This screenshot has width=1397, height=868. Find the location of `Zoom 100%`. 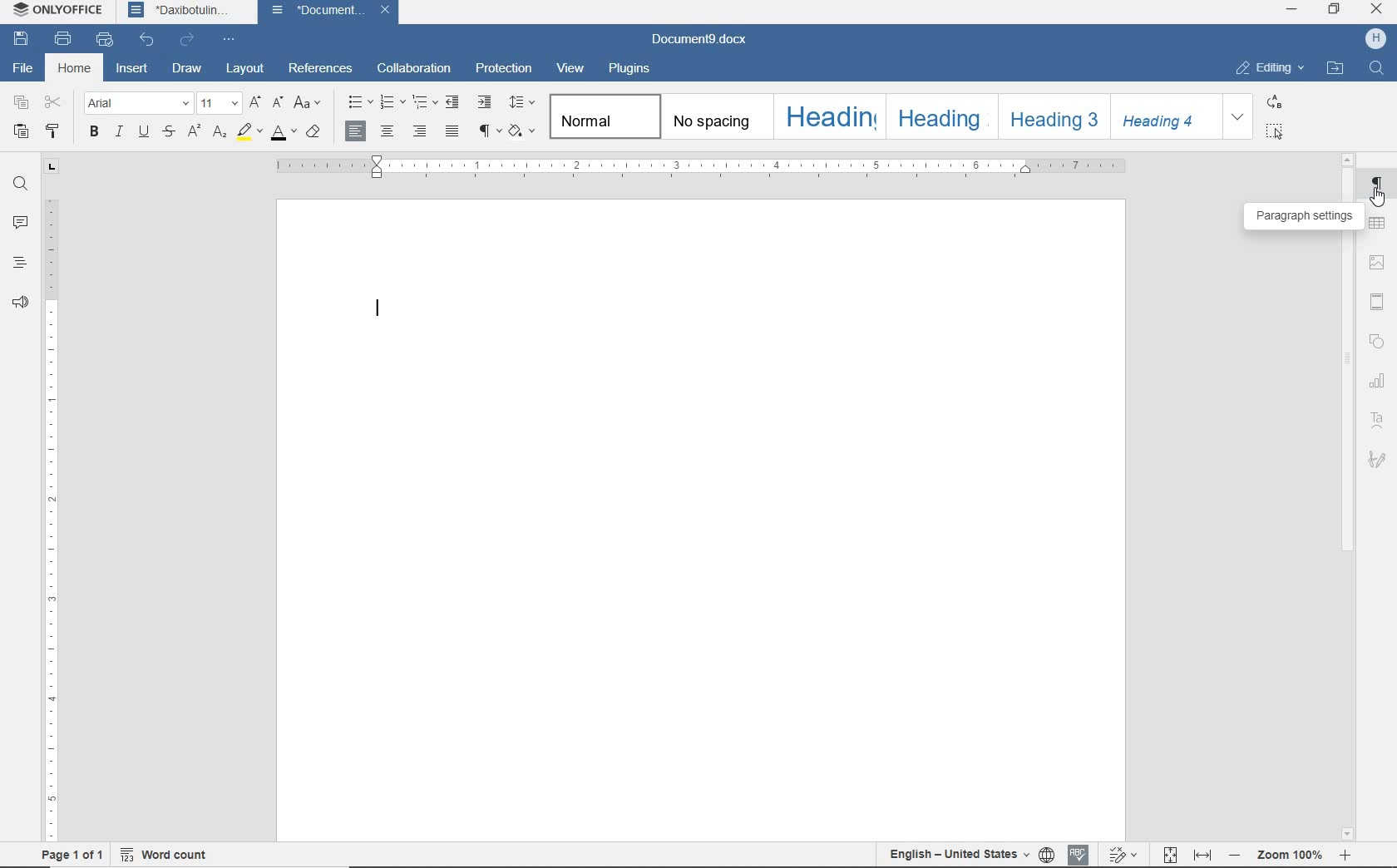

Zoom 100% is located at coordinates (1289, 855).